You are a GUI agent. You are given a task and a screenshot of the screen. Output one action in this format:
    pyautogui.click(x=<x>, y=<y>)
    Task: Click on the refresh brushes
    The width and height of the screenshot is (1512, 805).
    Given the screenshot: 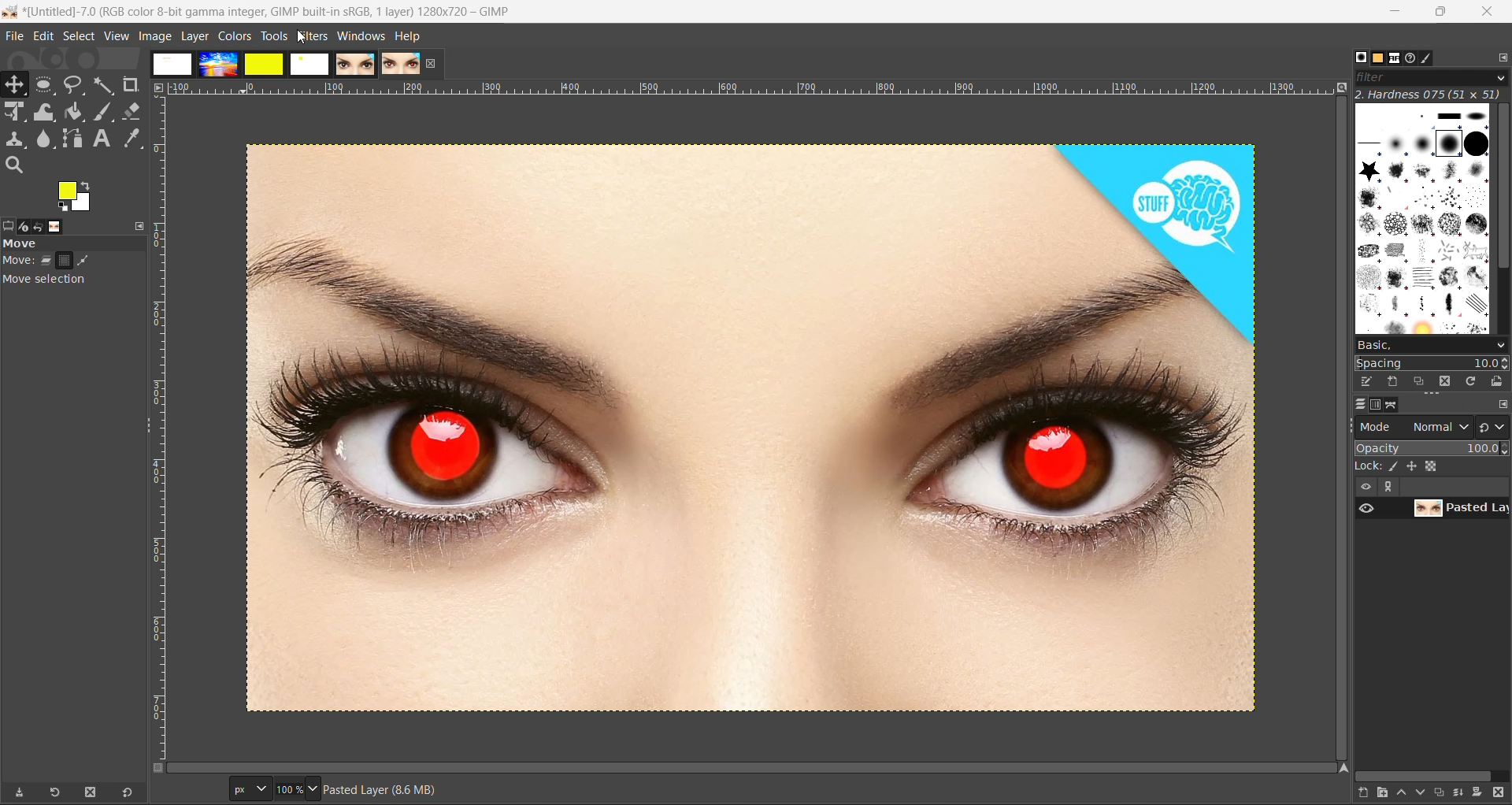 What is the action you would take?
    pyautogui.click(x=1470, y=383)
    